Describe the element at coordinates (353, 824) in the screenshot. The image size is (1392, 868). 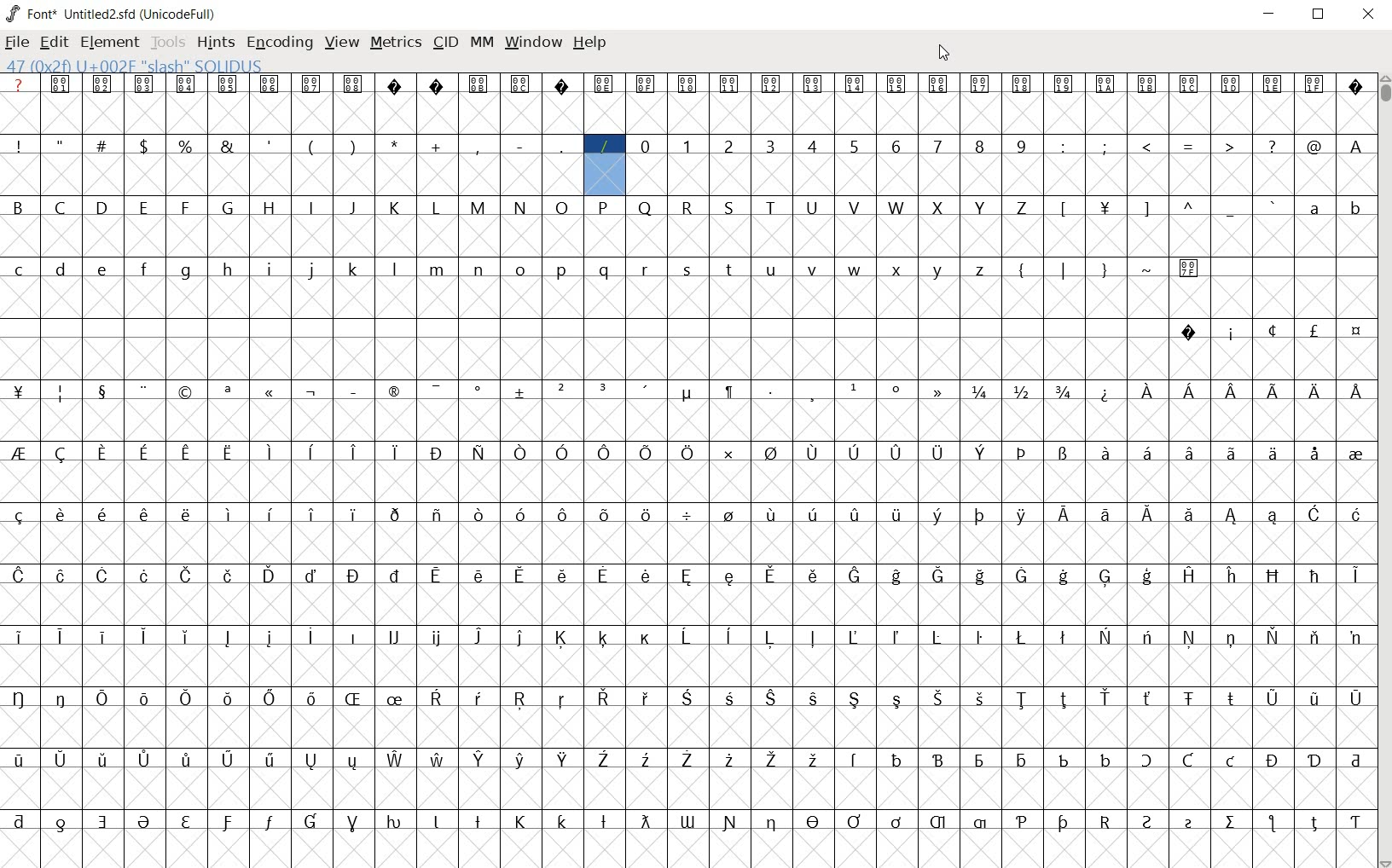
I see `glyph` at that location.